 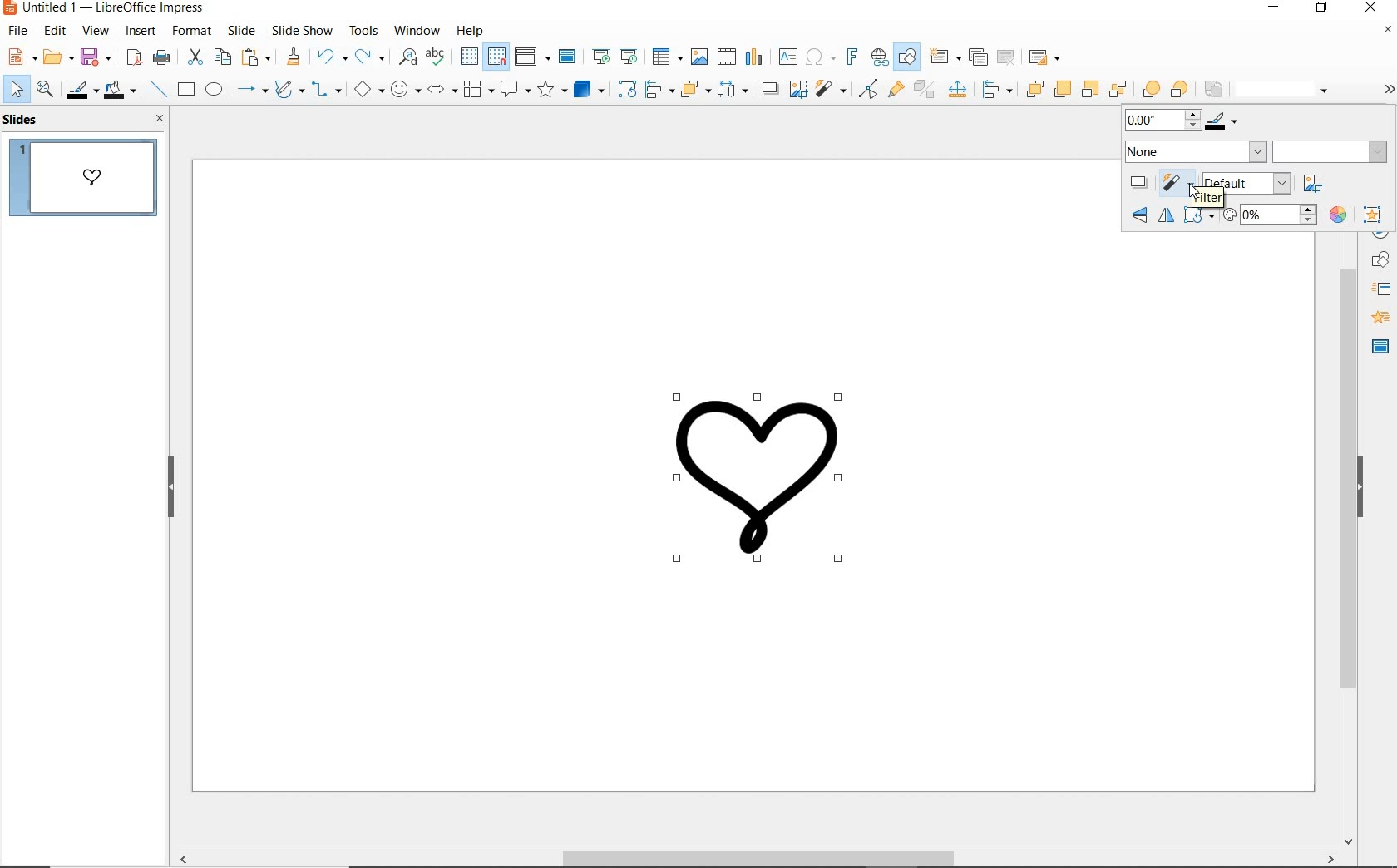 What do you see at coordinates (1088, 90) in the screenshot?
I see `send backward` at bounding box center [1088, 90].